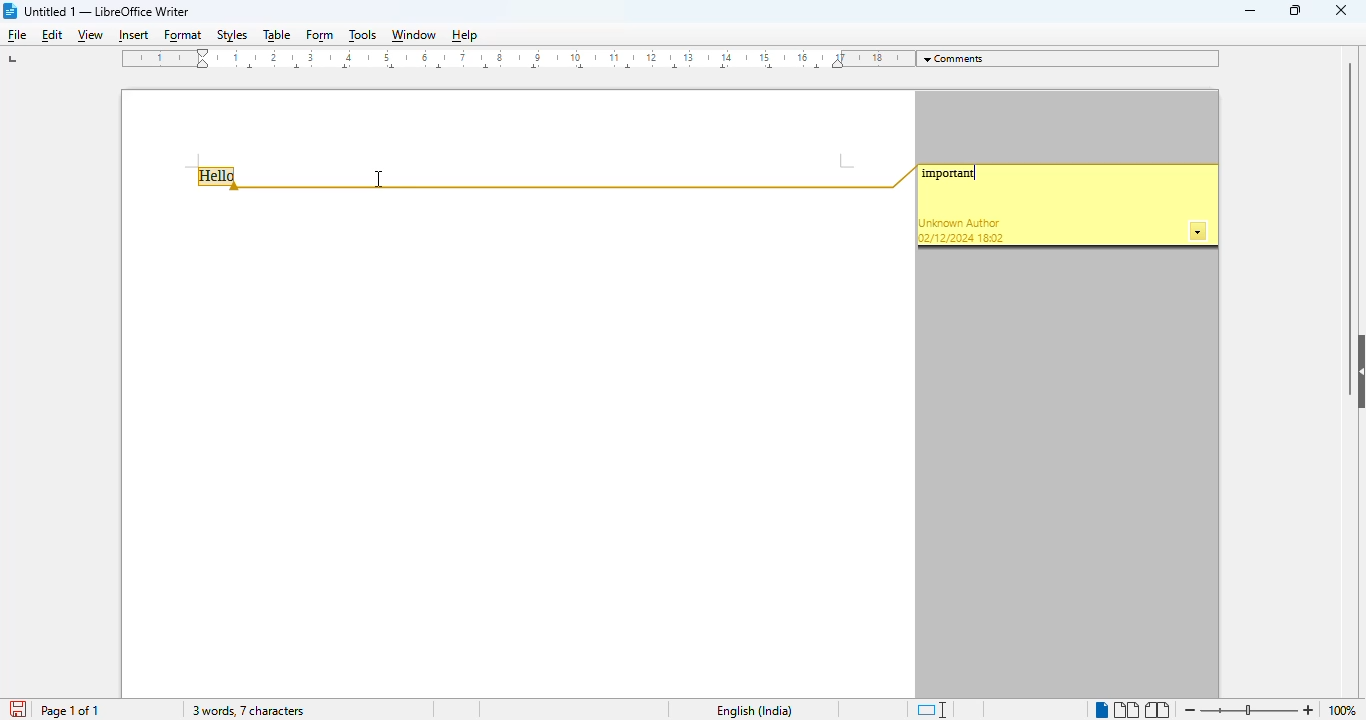 This screenshot has width=1366, height=720. What do you see at coordinates (1349, 192) in the screenshot?
I see `vertical scroll bar` at bounding box center [1349, 192].